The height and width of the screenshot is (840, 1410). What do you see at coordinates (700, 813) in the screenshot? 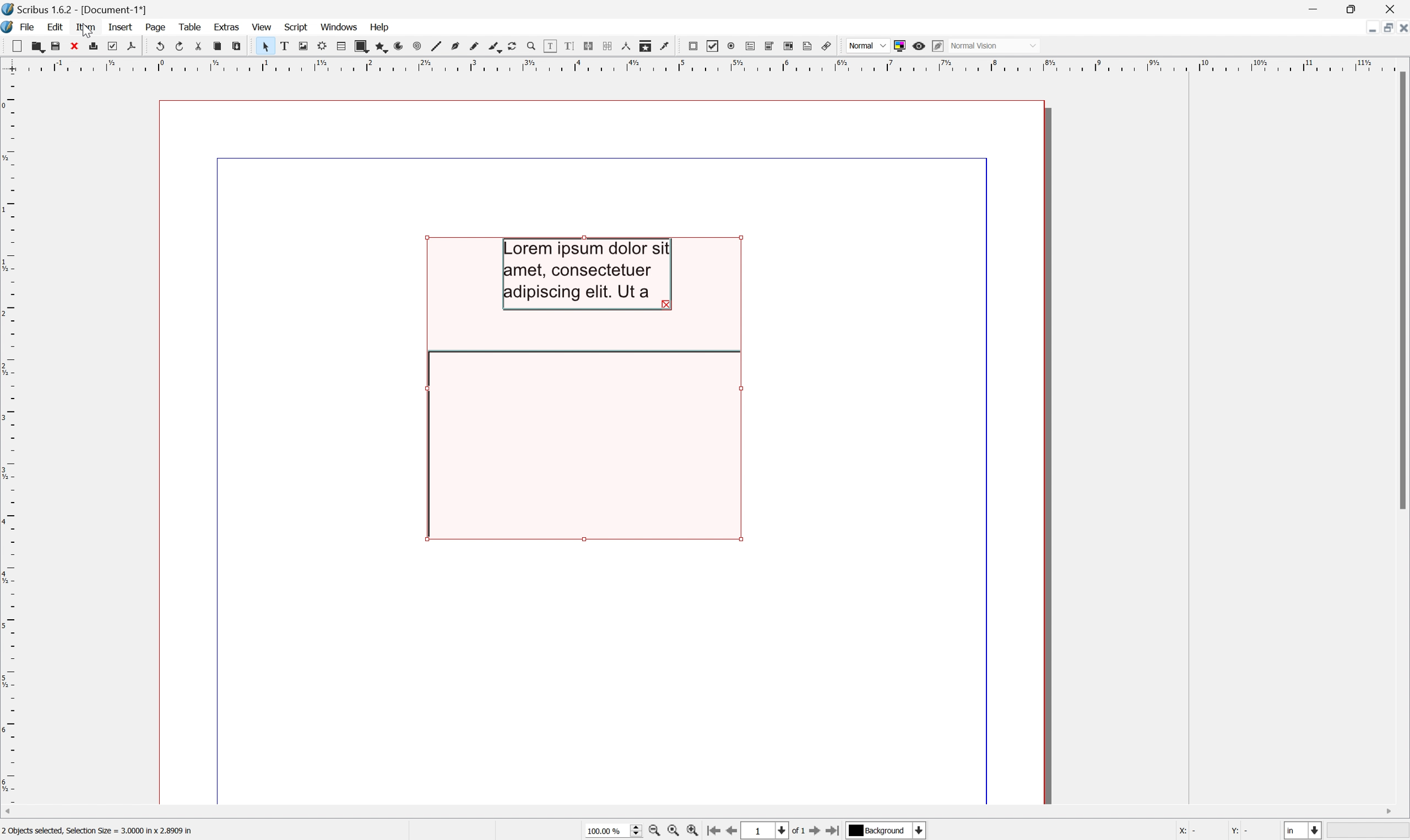
I see `Scroll` at bounding box center [700, 813].